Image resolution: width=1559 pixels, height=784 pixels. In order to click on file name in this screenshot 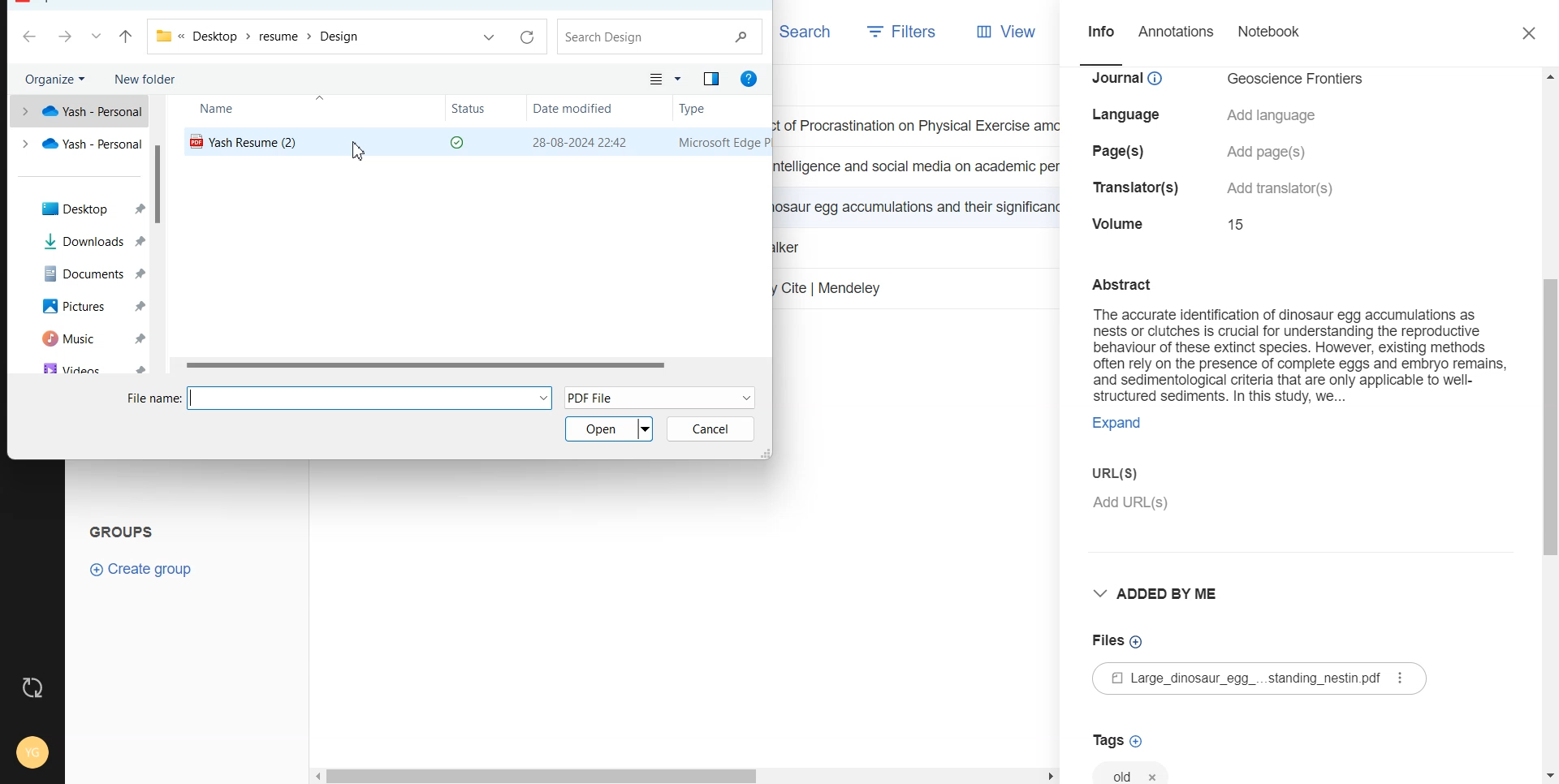, I will do `click(151, 398)`.